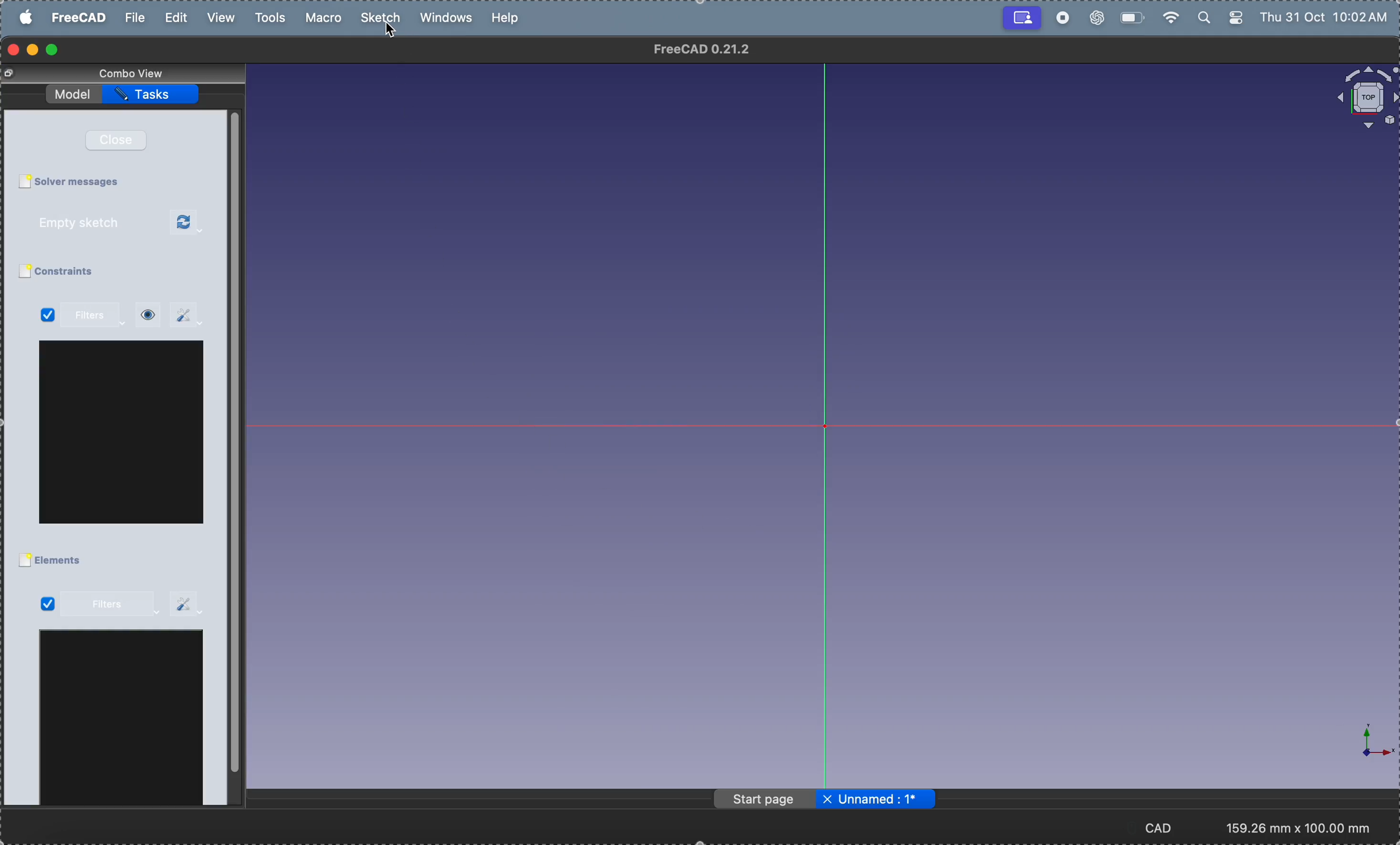 Image resolution: width=1400 pixels, height=845 pixels. Describe the element at coordinates (1166, 827) in the screenshot. I see `CAD` at that location.